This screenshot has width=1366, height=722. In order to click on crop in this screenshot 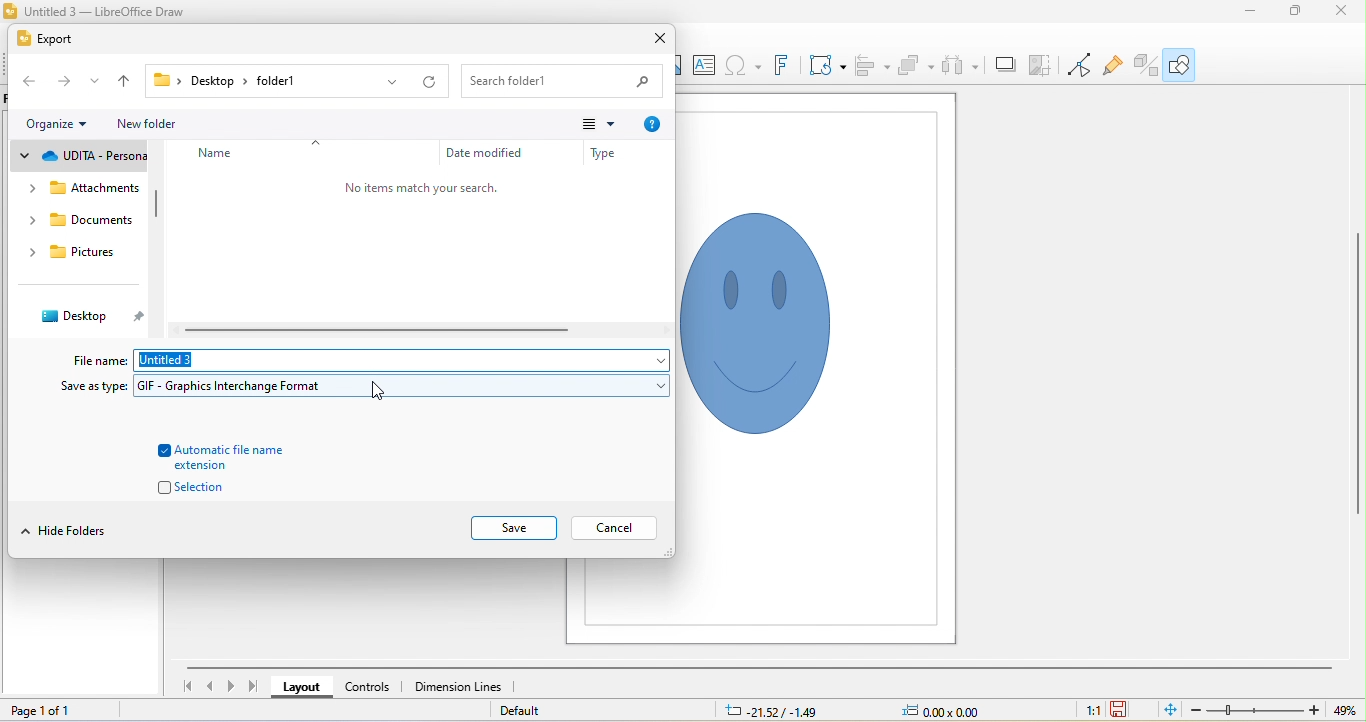, I will do `click(1042, 65)`.